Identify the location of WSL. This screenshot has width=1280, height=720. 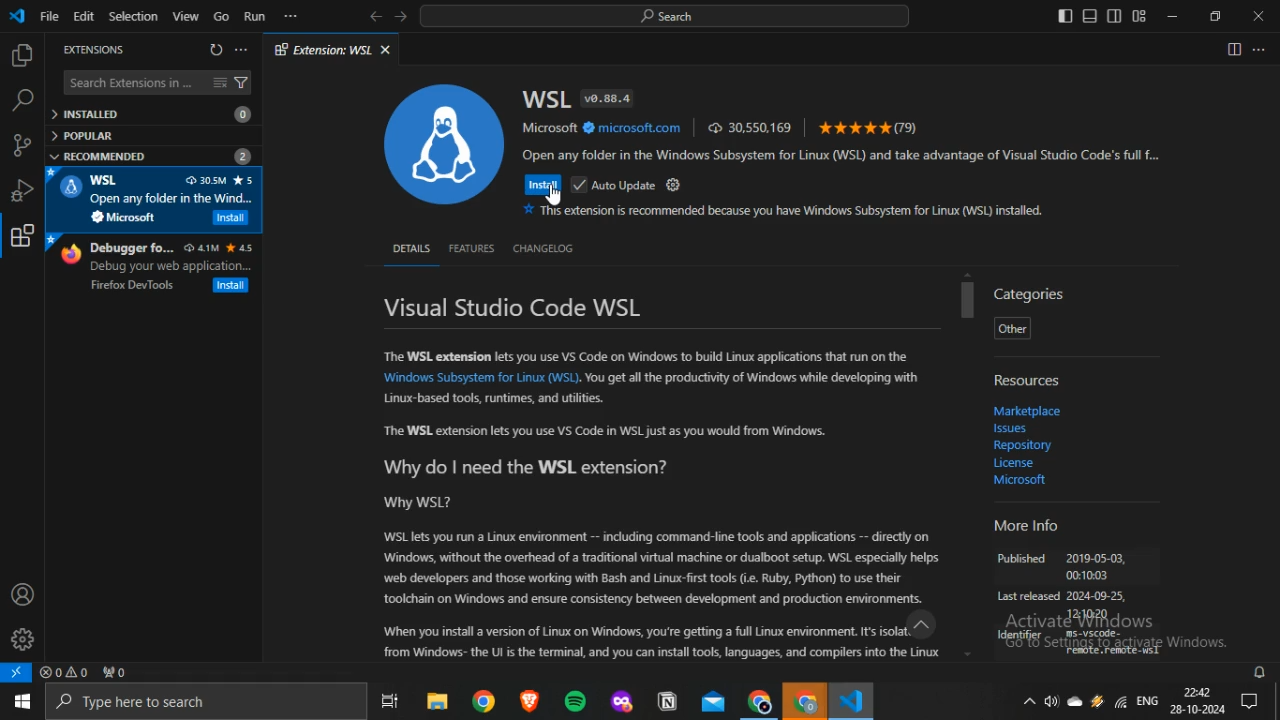
(545, 99).